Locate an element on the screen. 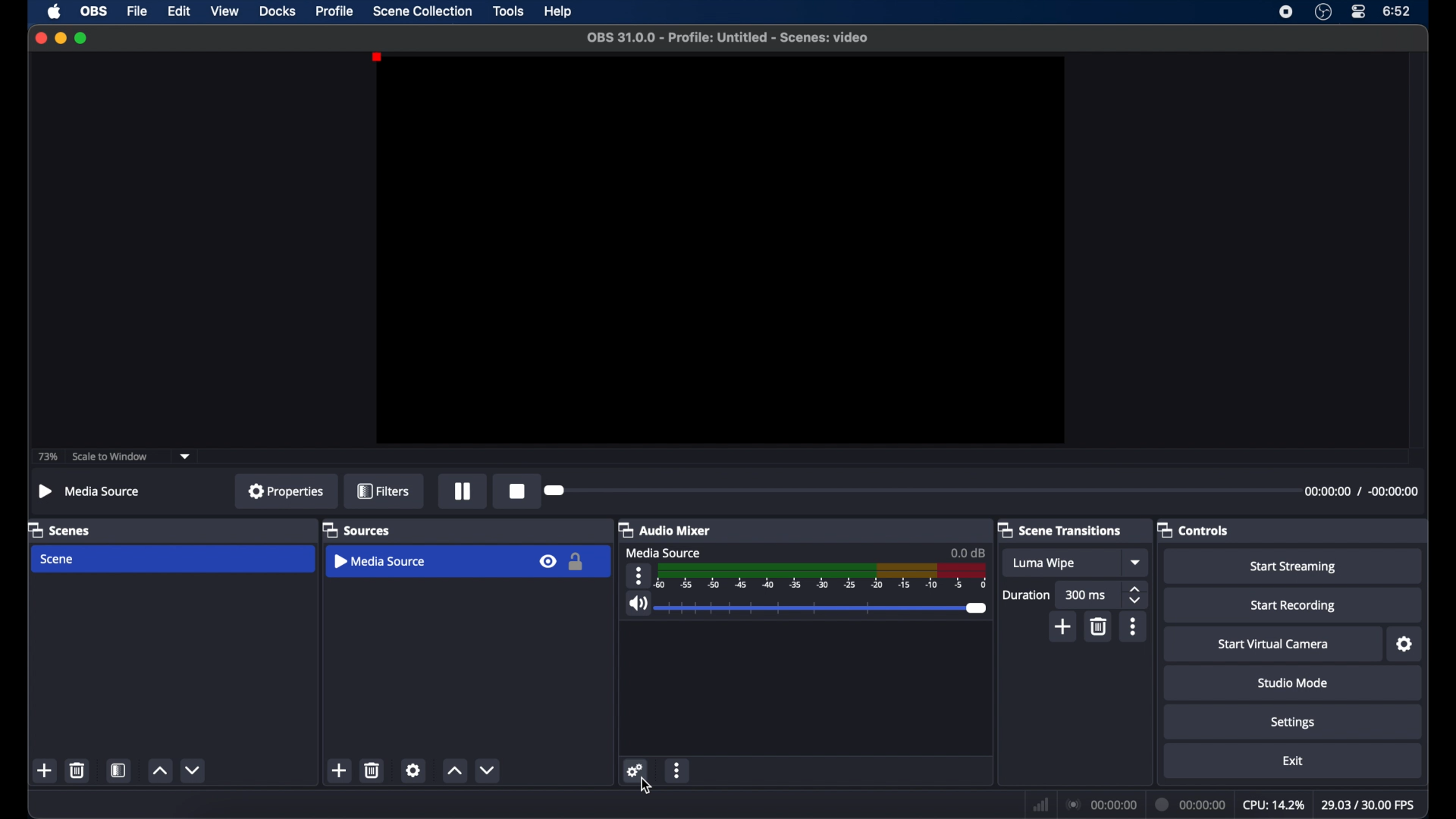 This screenshot has height=819, width=1456. screen recorder icon is located at coordinates (1286, 12).